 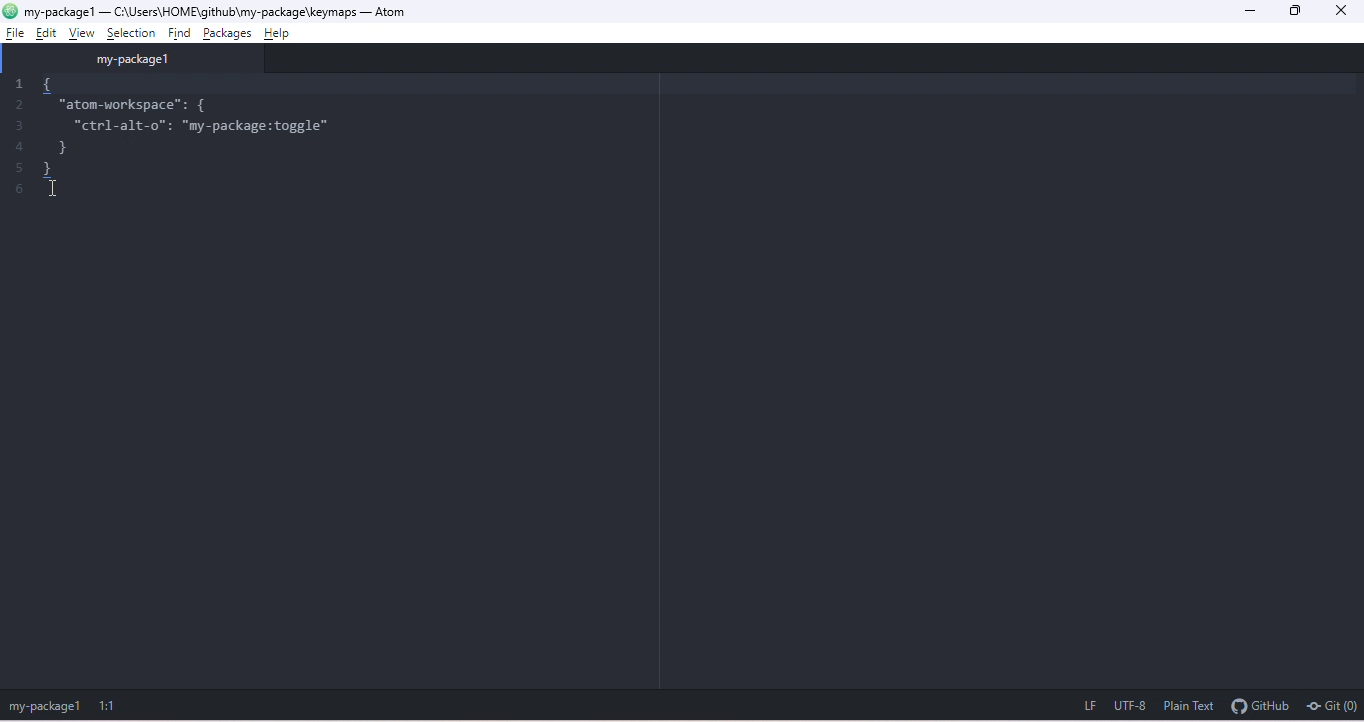 I want to click on view, so click(x=84, y=32).